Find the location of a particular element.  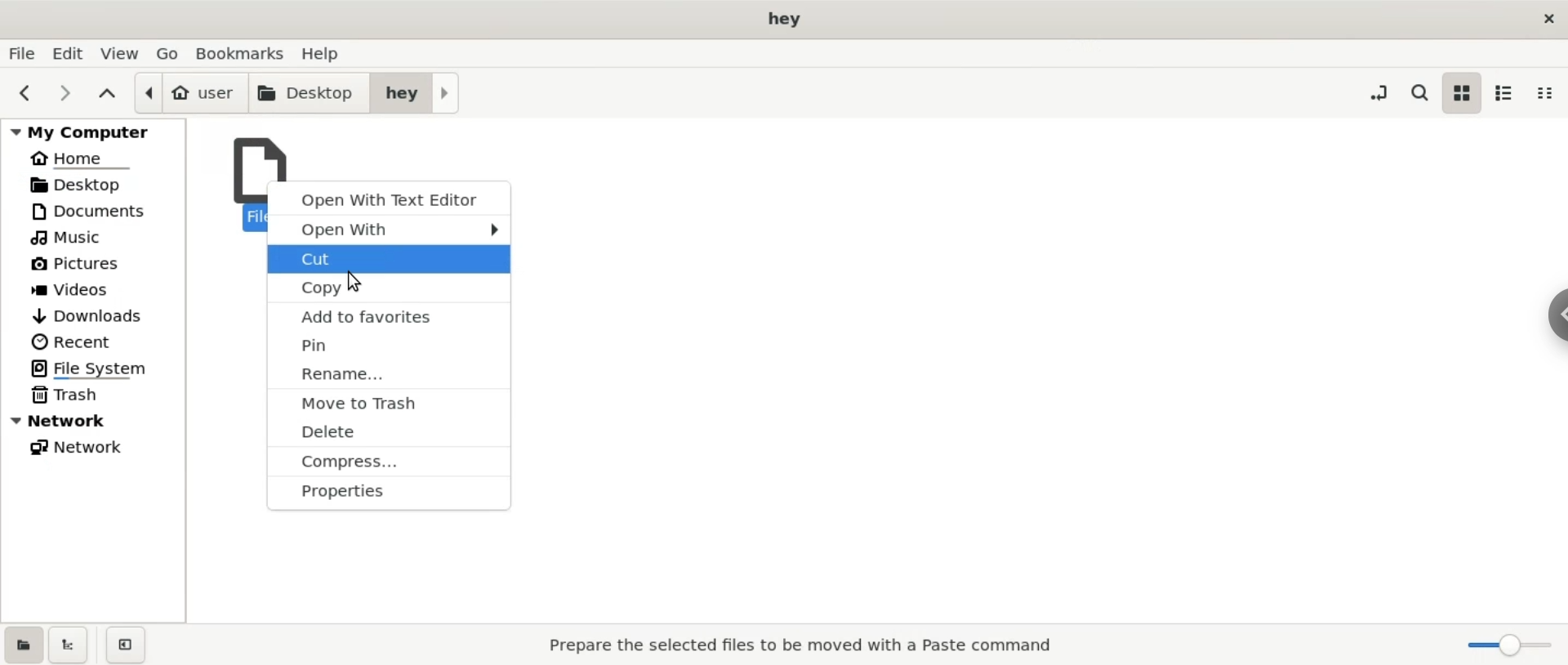

icon view is located at coordinates (1461, 95).